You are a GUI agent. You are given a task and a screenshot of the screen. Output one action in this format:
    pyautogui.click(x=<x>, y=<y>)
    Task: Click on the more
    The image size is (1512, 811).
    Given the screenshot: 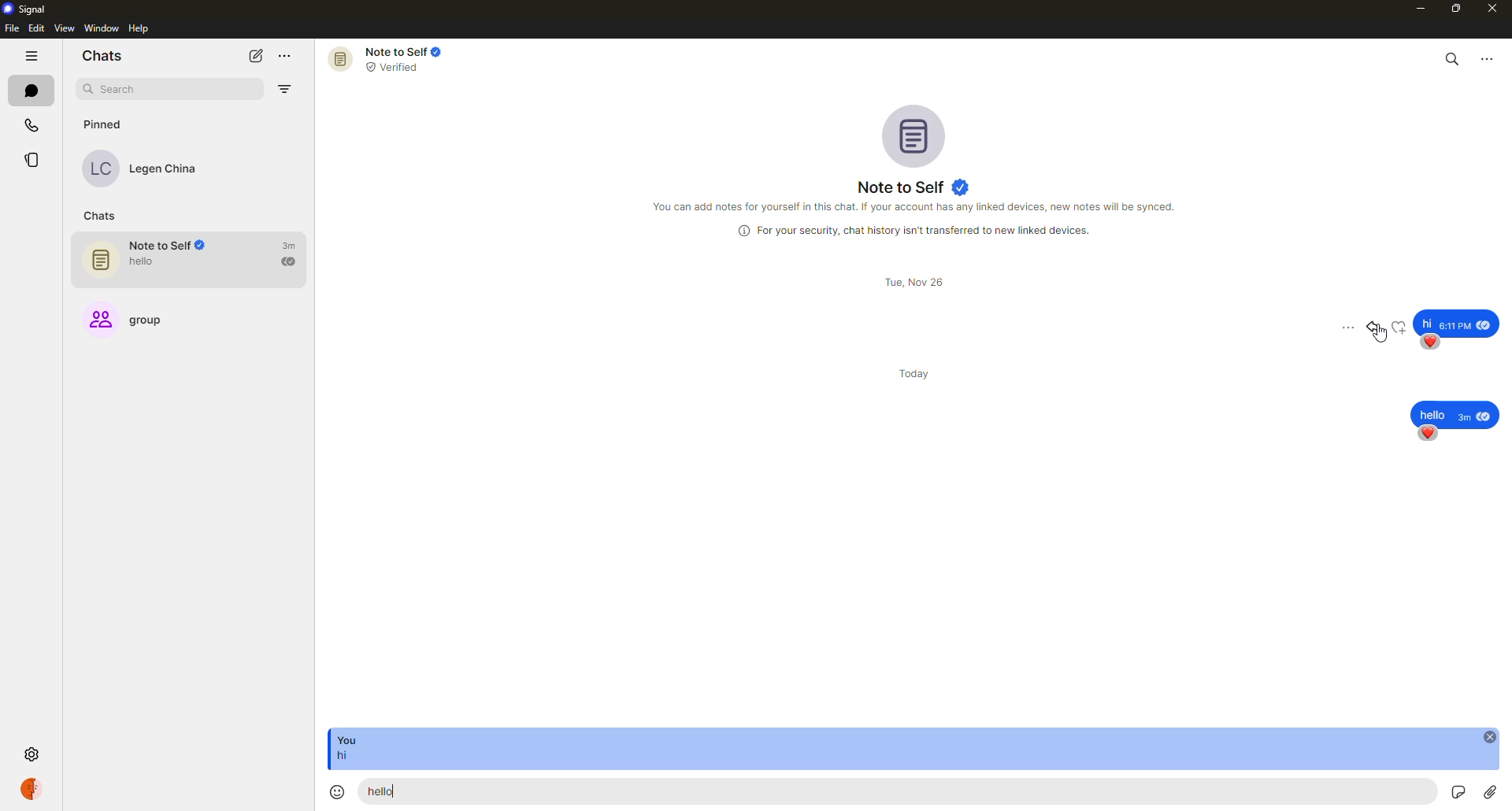 What is the action you would take?
    pyautogui.click(x=1488, y=58)
    